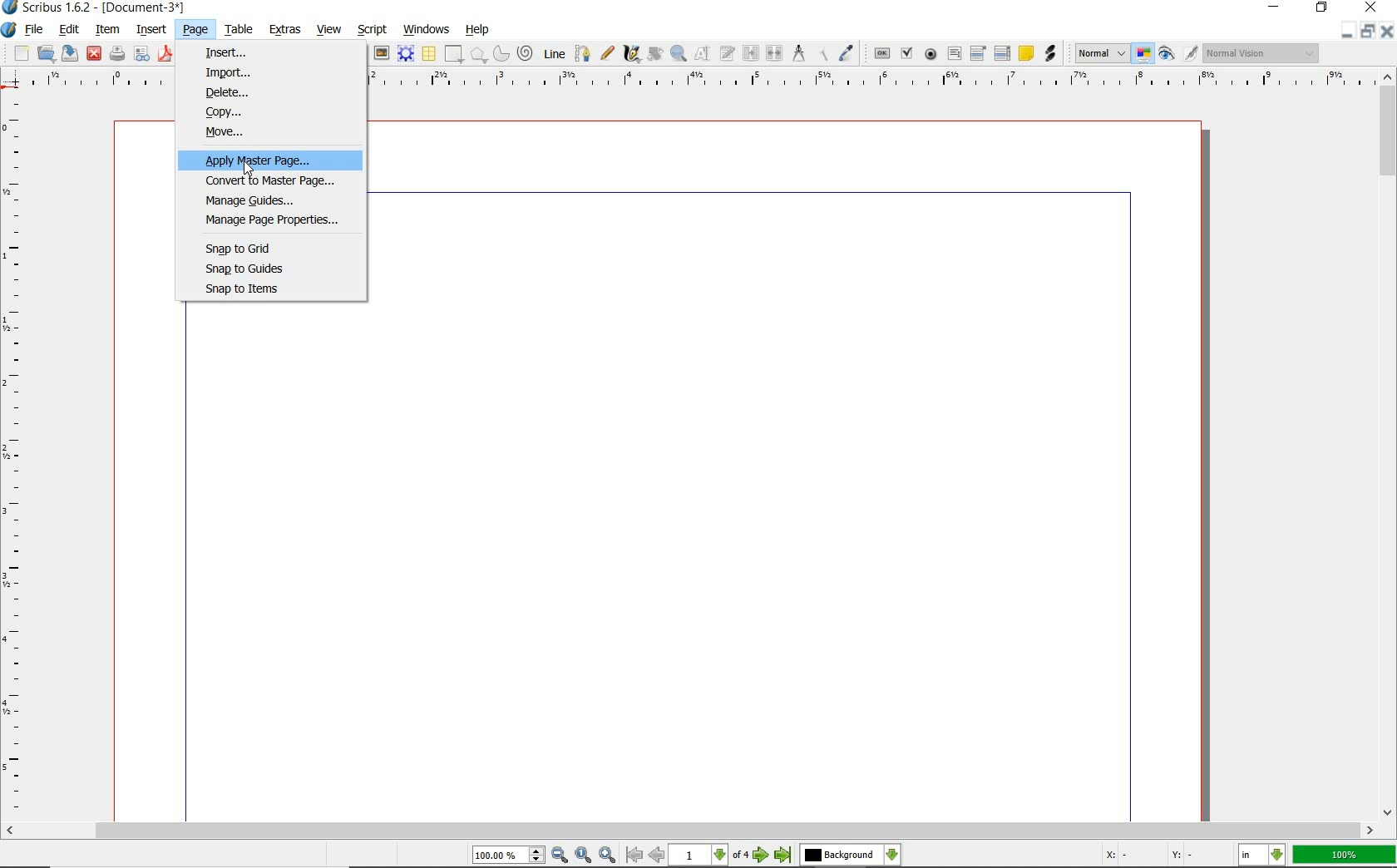 This screenshot has width=1397, height=868. Describe the element at coordinates (1167, 856) in the screenshot. I see `Cursor Coordinates` at that location.